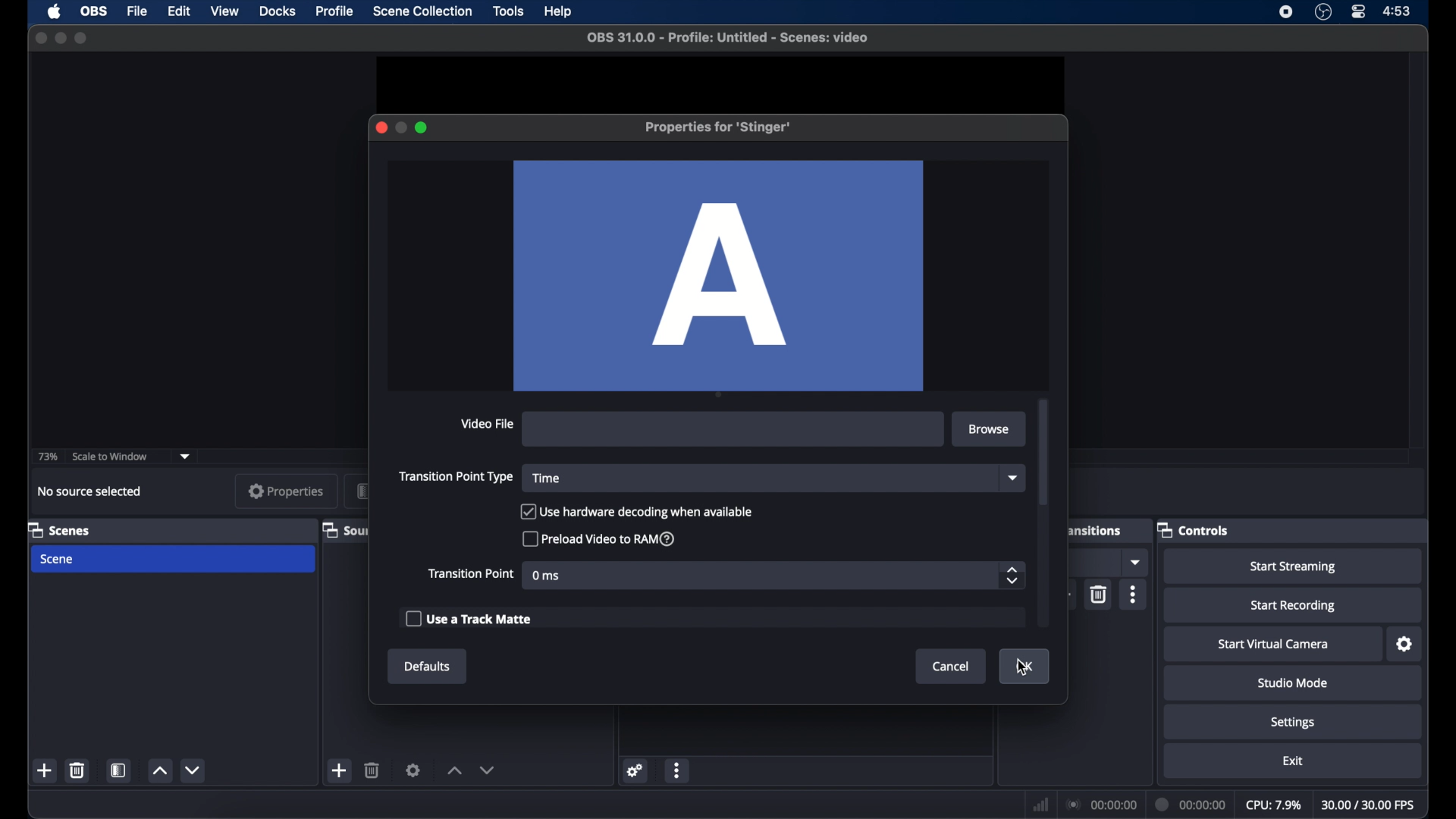  What do you see at coordinates (546, 479) in the screenshot?
I see `time` at bounding box center [546, 479].